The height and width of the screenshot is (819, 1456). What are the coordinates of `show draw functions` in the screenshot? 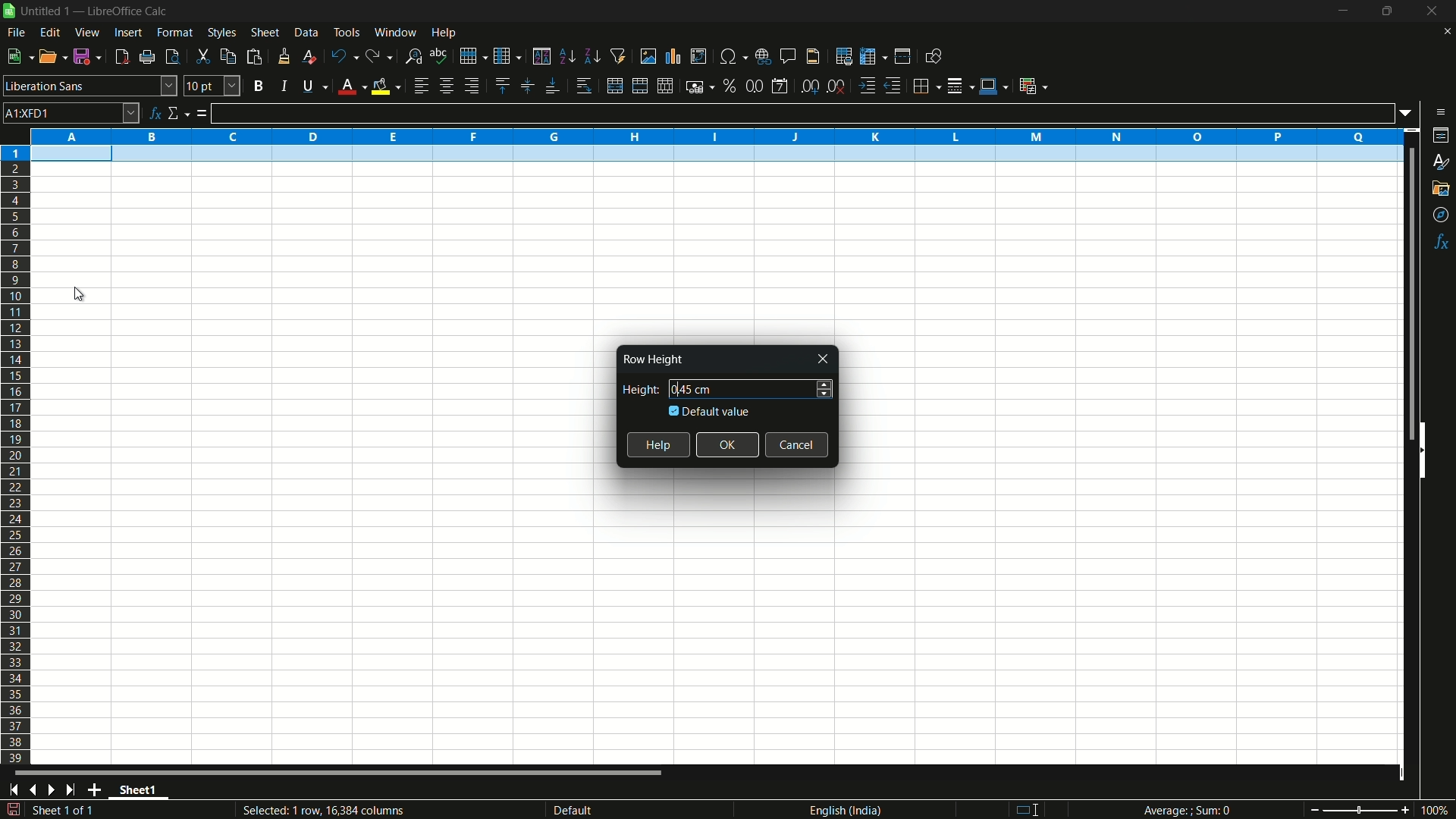 It's located at (932, 56).